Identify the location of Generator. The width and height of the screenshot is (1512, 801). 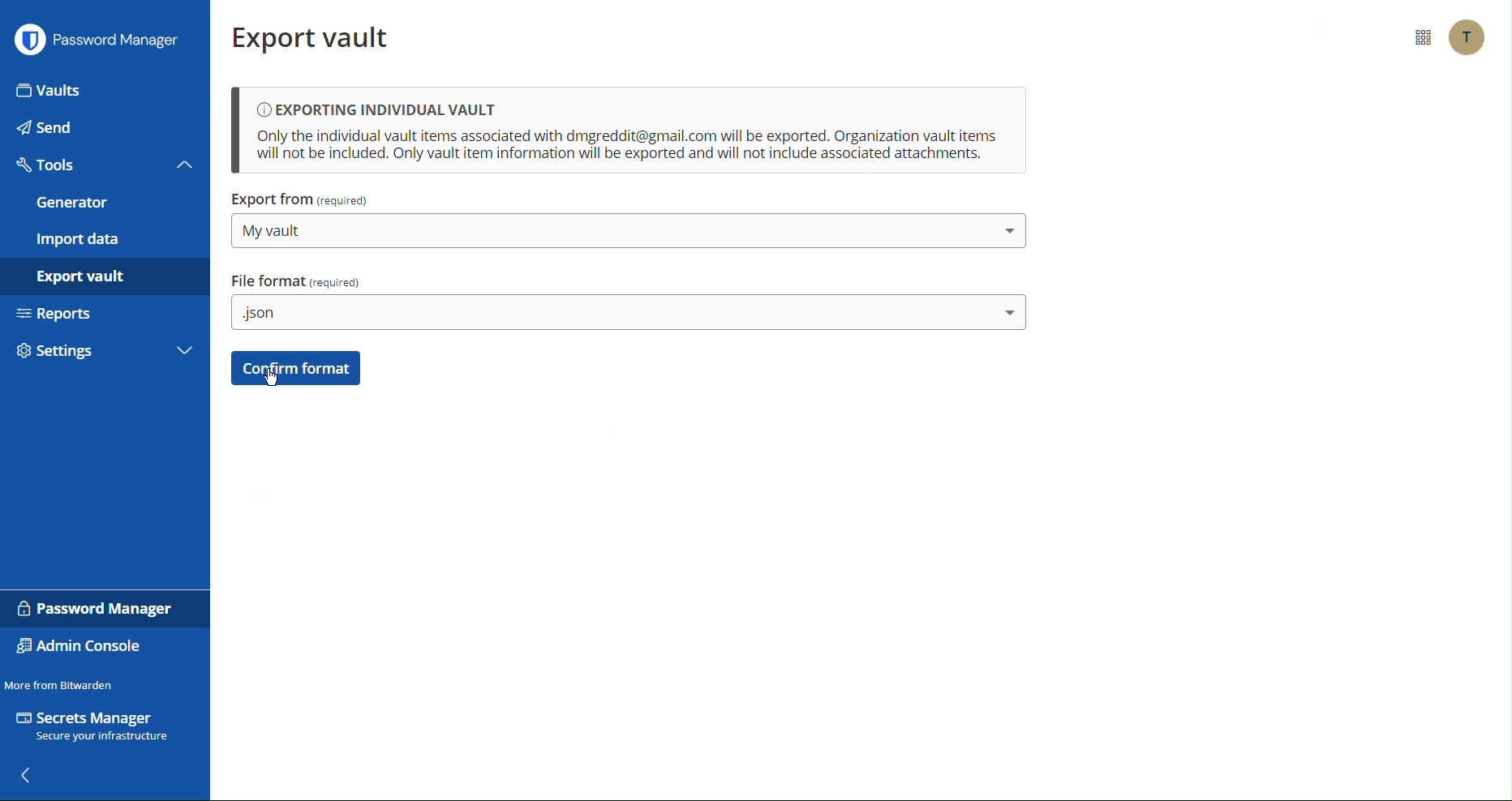
(73, 203).